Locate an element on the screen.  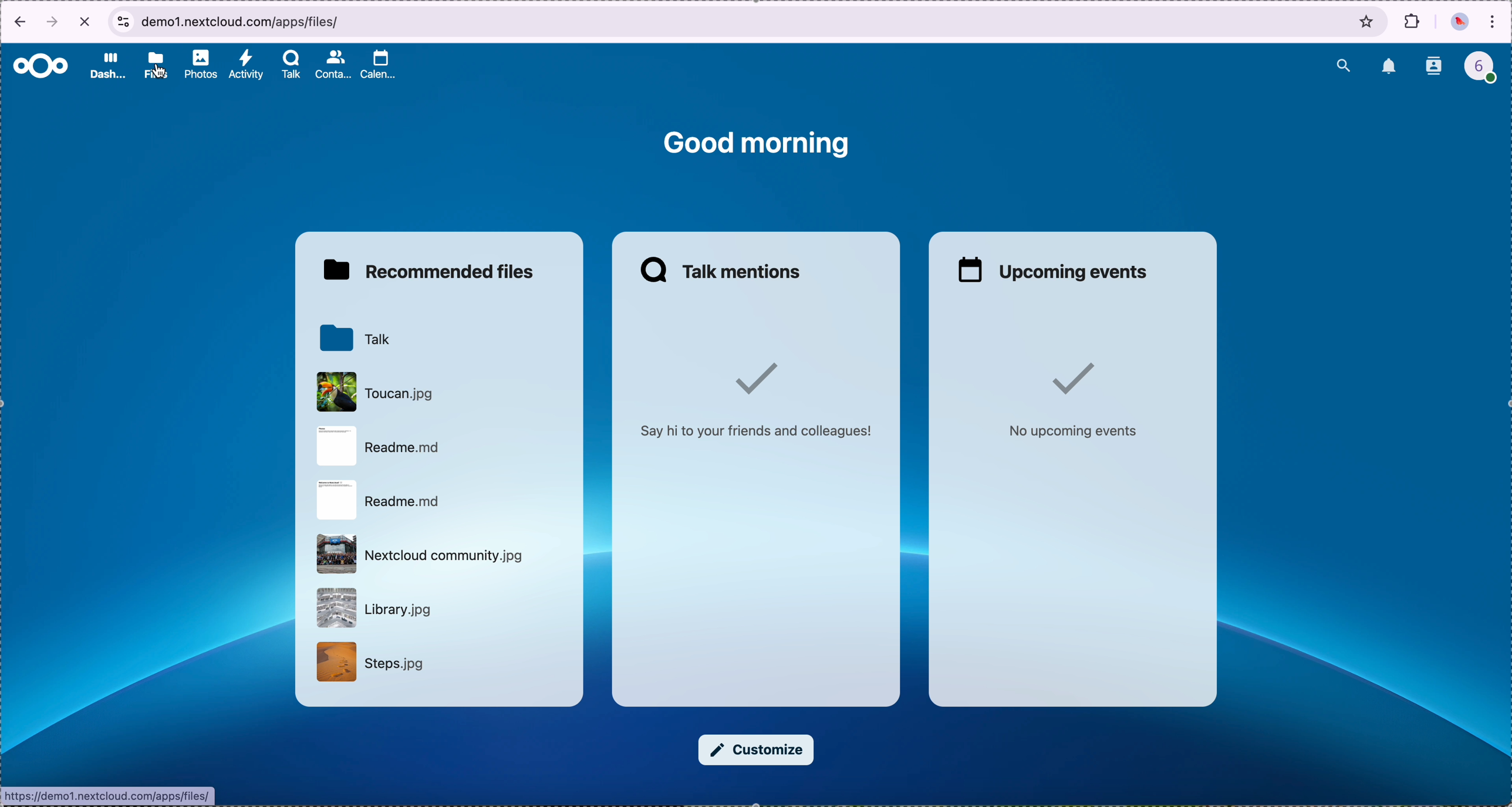
calendar is located at coordinates (380, 67).